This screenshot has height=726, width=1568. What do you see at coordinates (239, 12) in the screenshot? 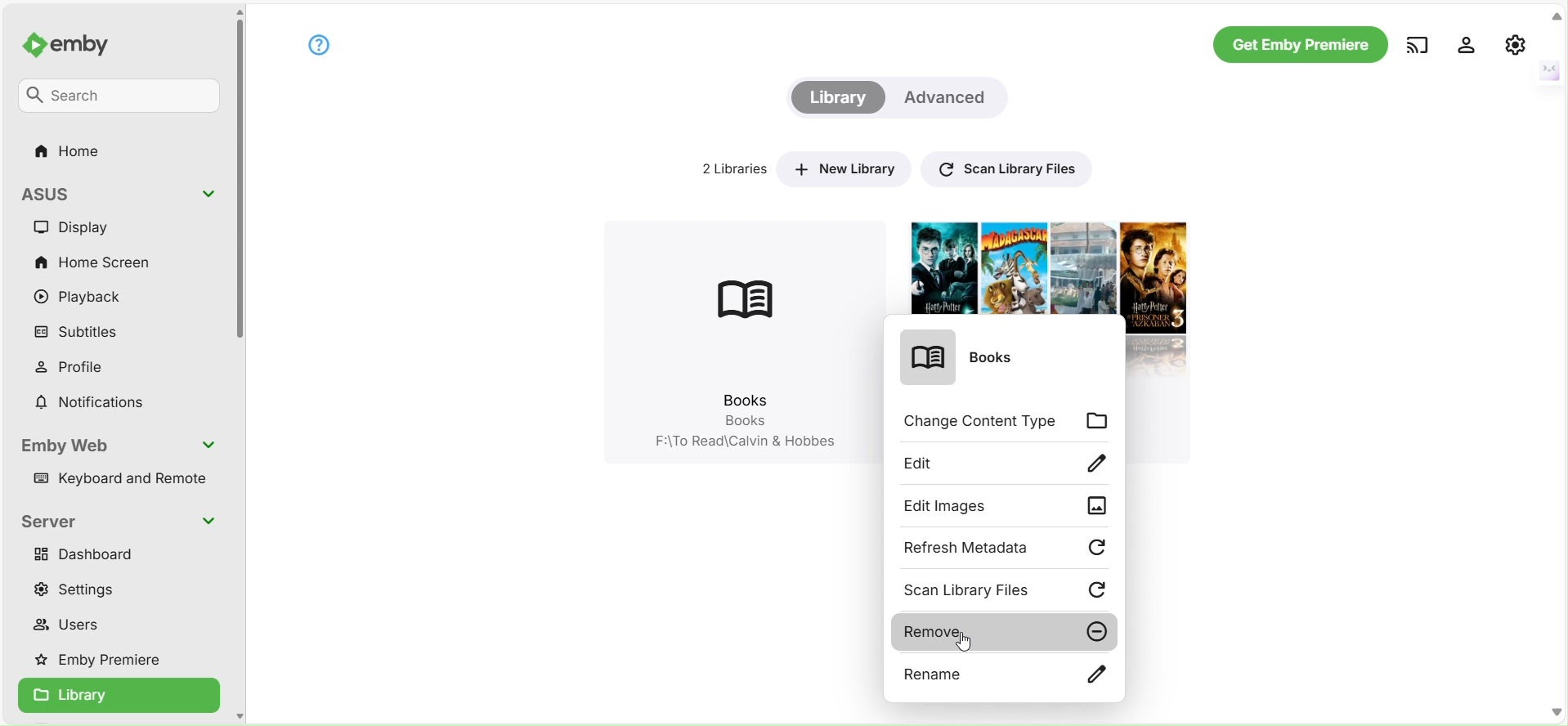
I see `move up` at bounding box center [239, 12].